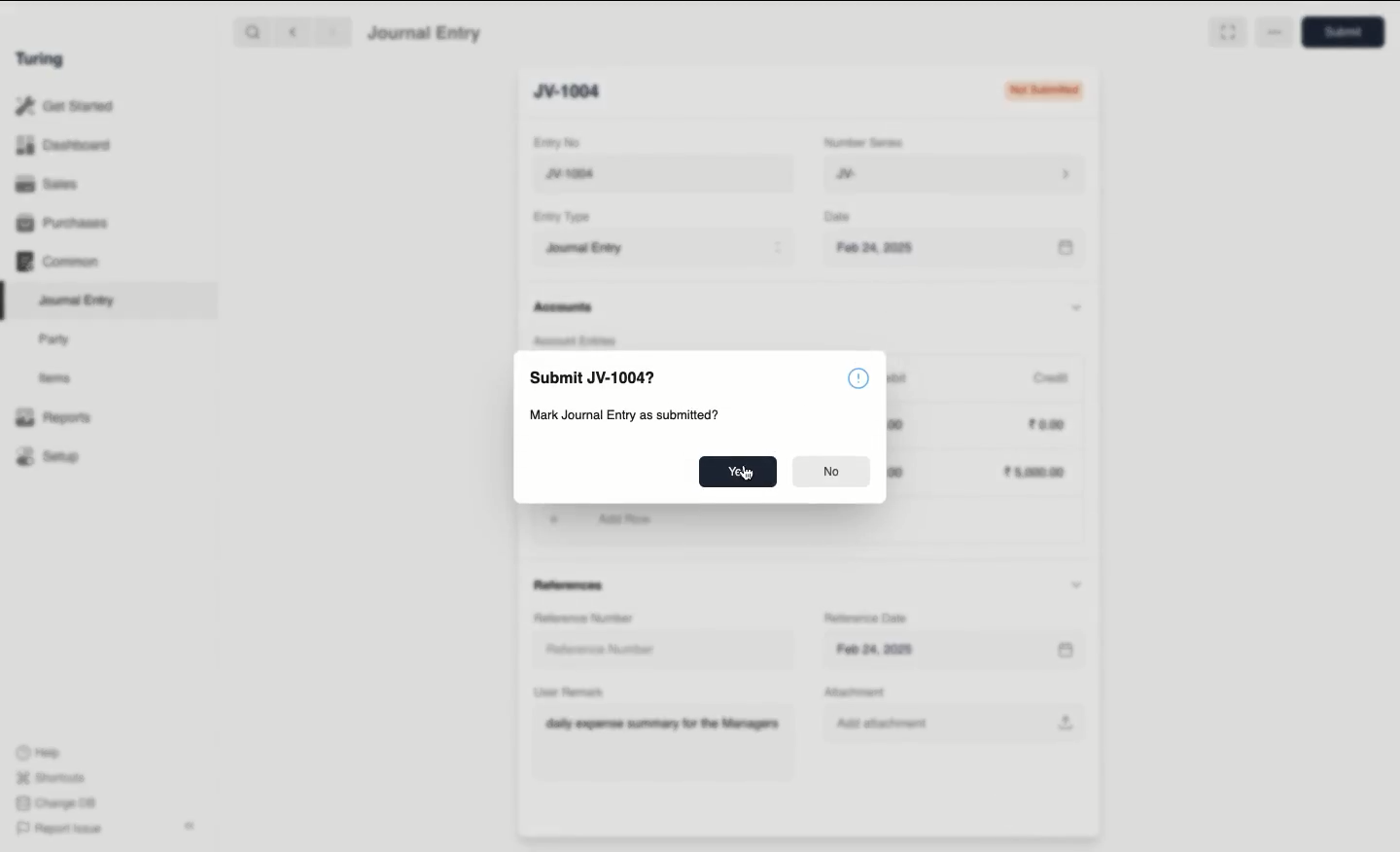 This screenshot has height=852, width=1400. Describe the element at coordinates (50, 184) in the screenshot. I see `Sales` at that location.